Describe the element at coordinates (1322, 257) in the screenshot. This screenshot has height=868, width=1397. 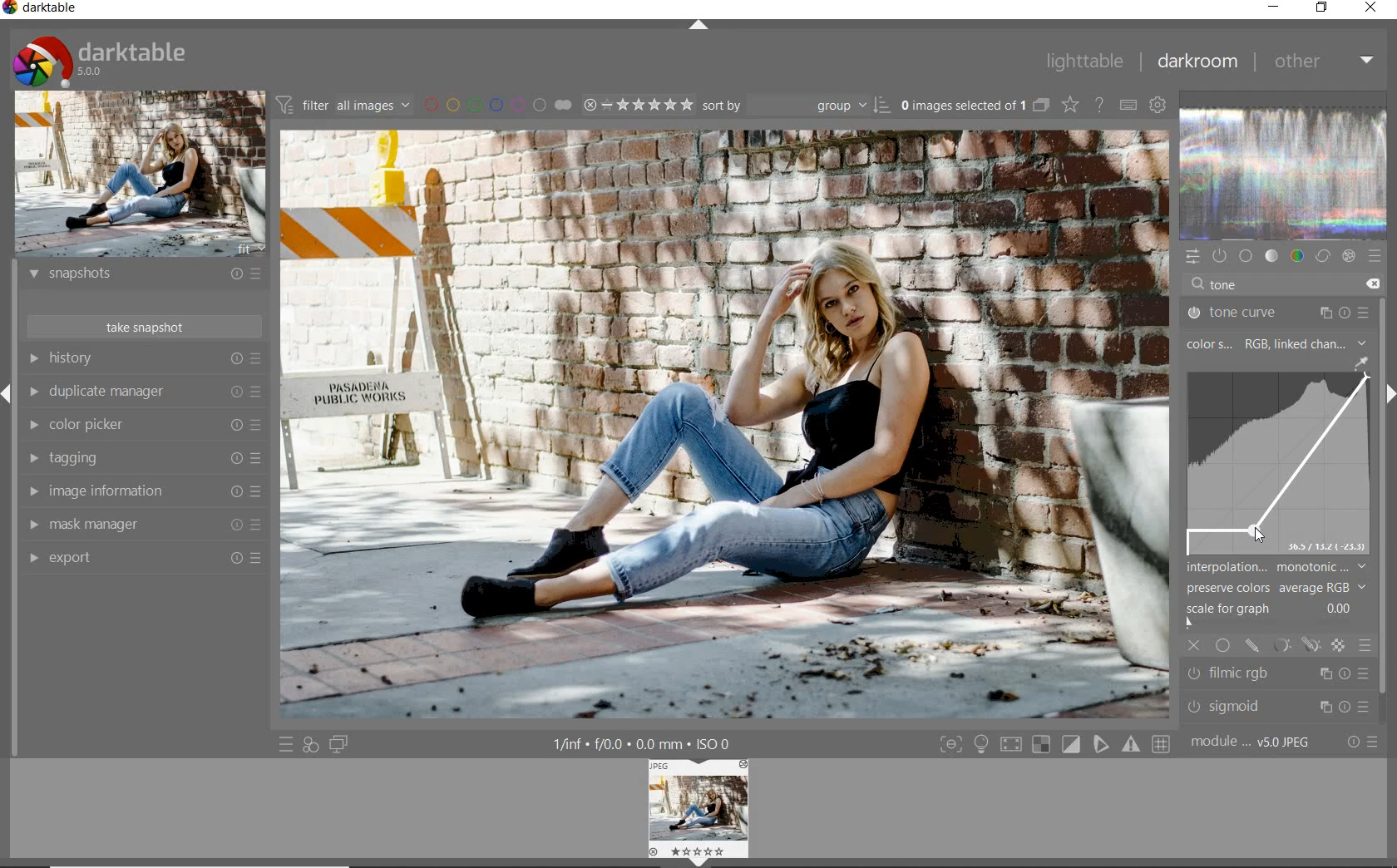
I see `correct` at that location.